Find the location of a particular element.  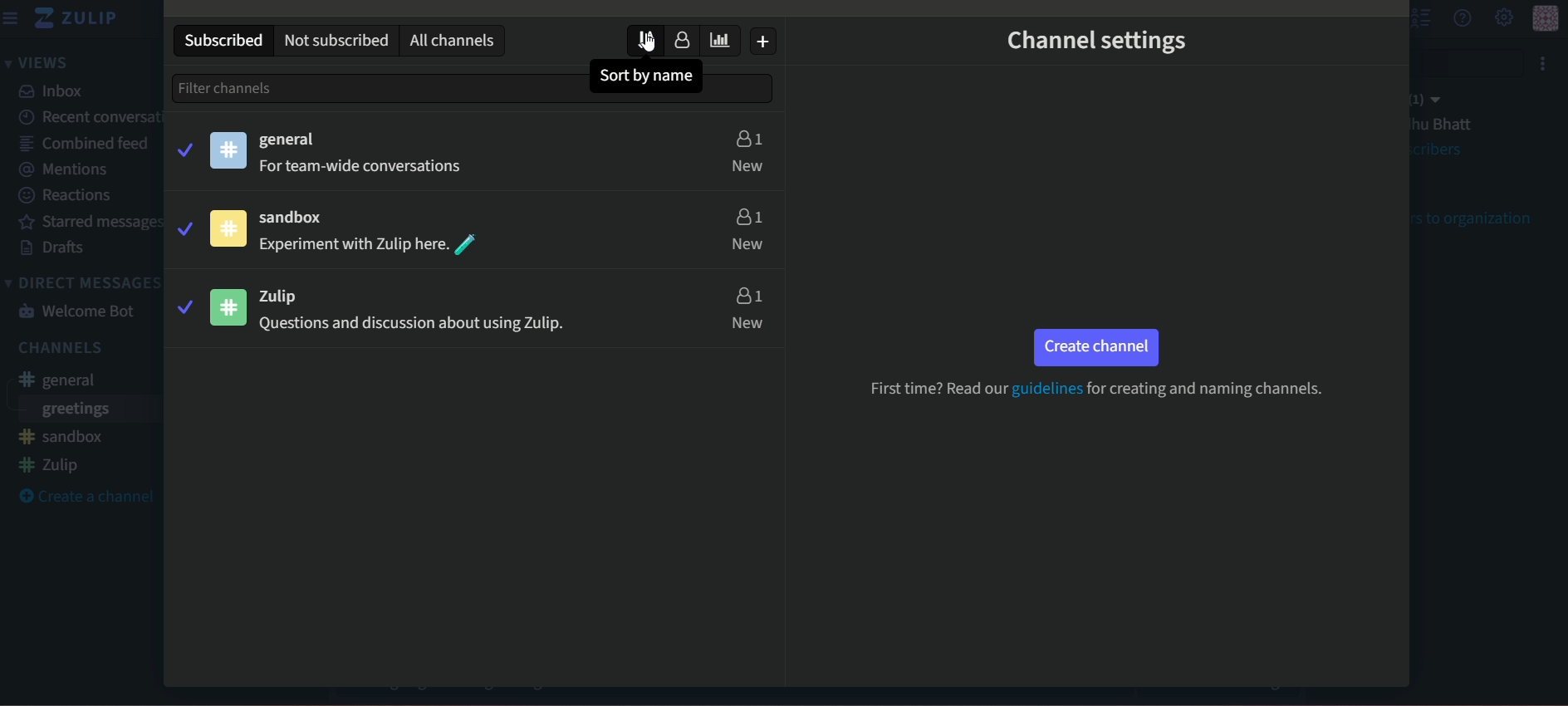

direct messages is located at coordinates (85, 283).